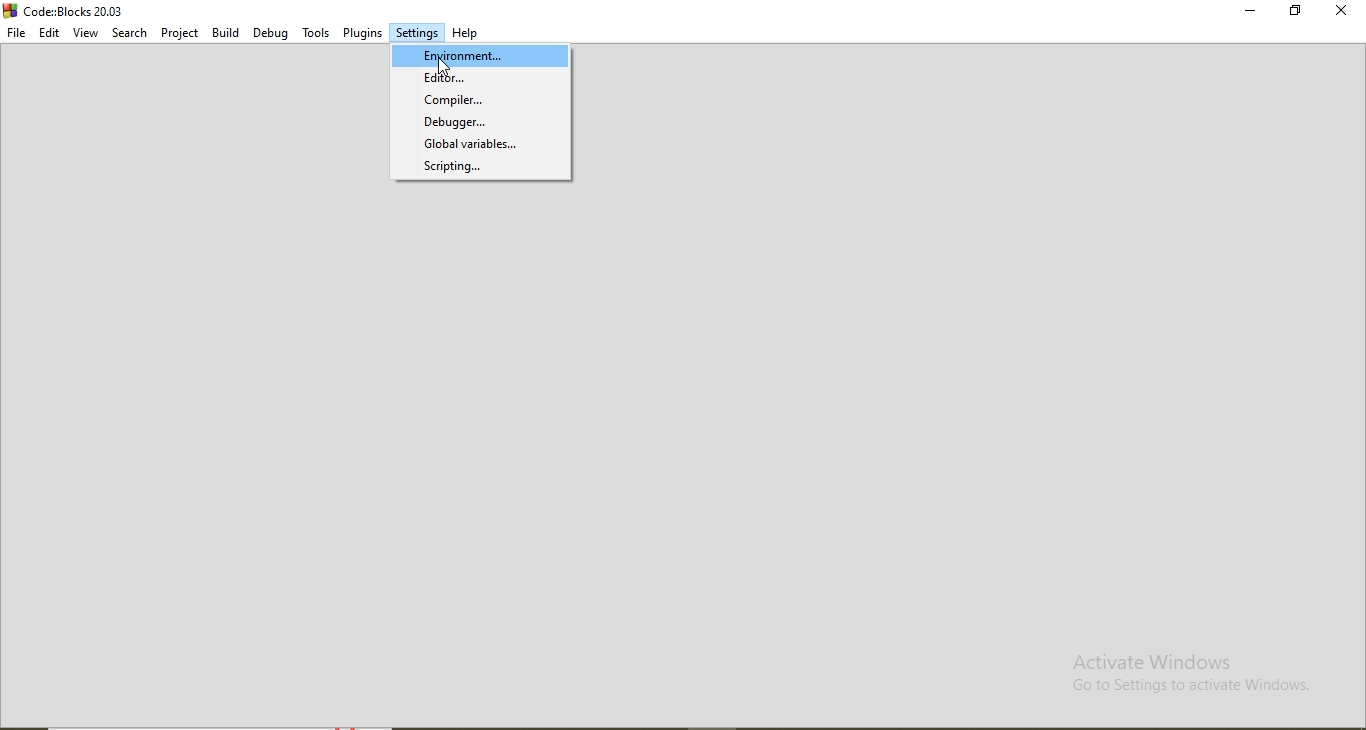 Image resolution: width=1366 pixels, height=730 pixels. What do you see at coordinates (417, 33) in the screenshot?
I see `Settings ` at bounding box center [417, 33].